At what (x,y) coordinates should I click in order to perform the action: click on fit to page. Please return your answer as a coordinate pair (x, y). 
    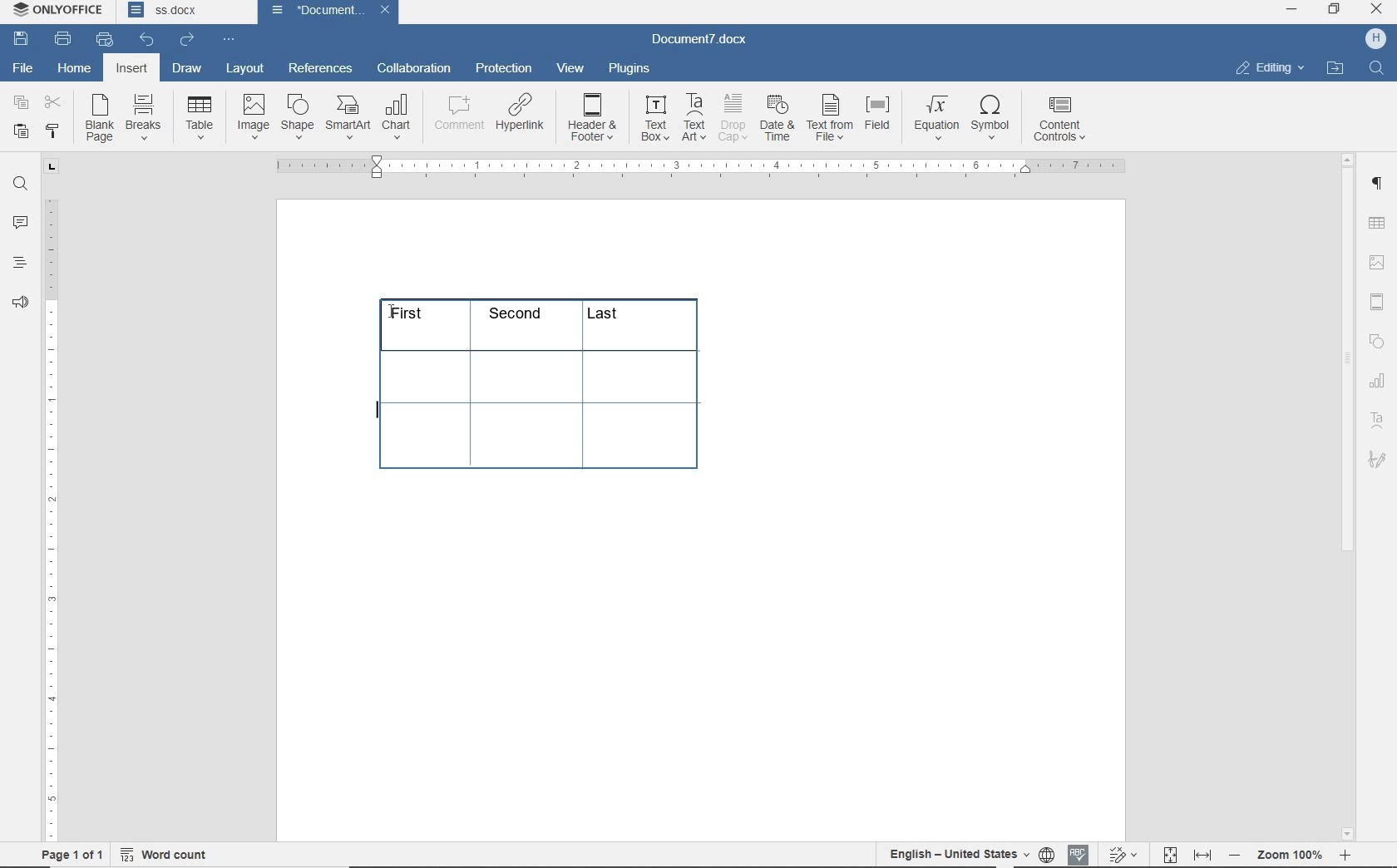
    Looking at the image, I should click on (1169, 852).